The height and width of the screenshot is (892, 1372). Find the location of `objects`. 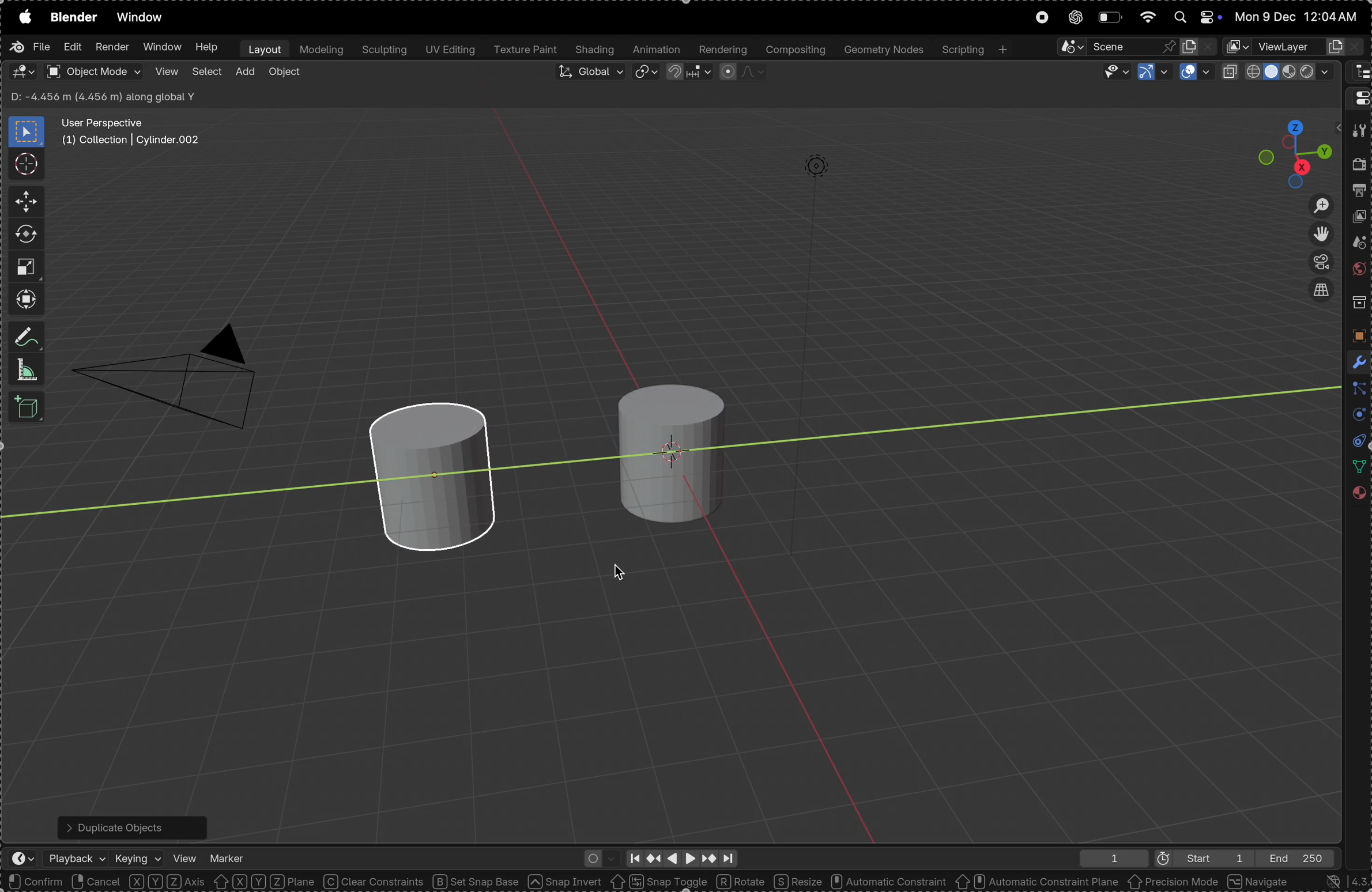

objects is located at coordinates (1356, 335).